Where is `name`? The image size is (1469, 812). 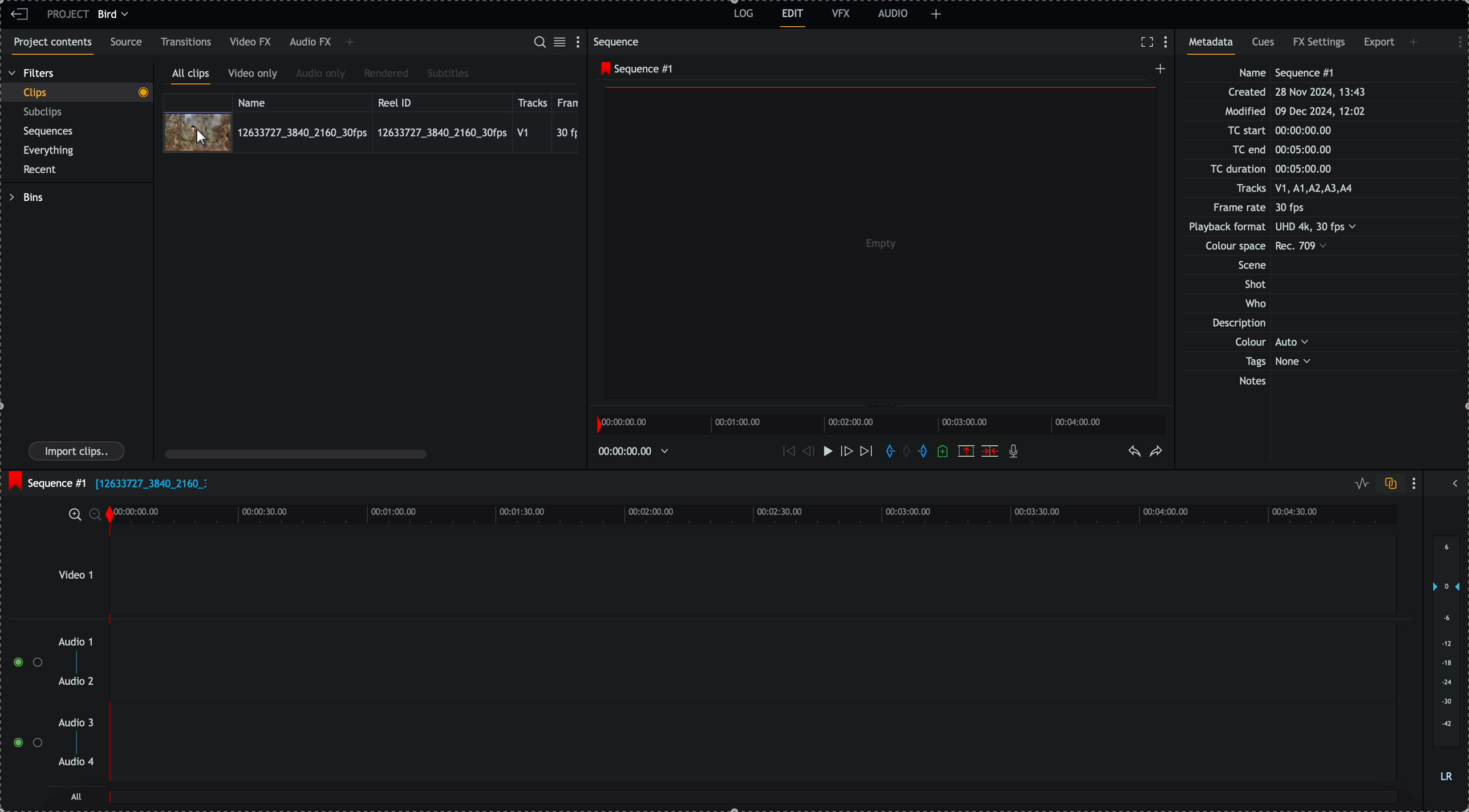 name is located at coordinates (302, 101).